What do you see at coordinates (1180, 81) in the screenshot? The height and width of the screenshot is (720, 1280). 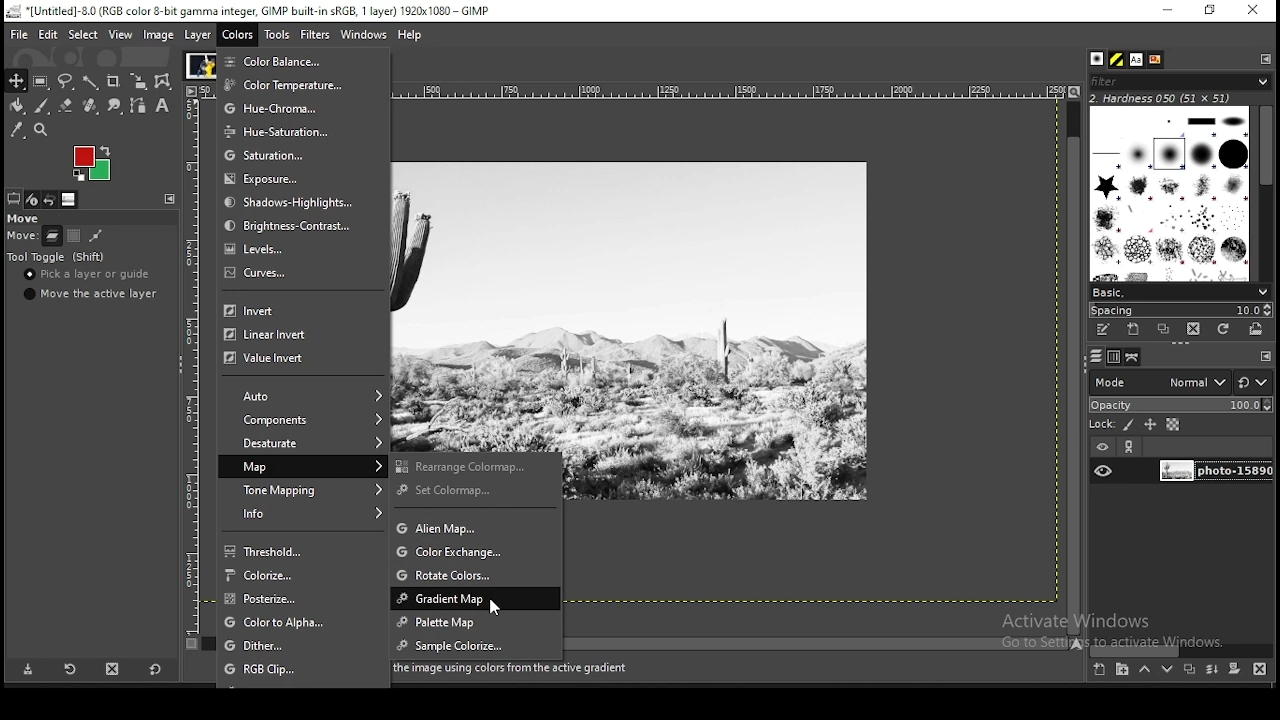 I see `filter brushes` at bounding box center [1180, 81].